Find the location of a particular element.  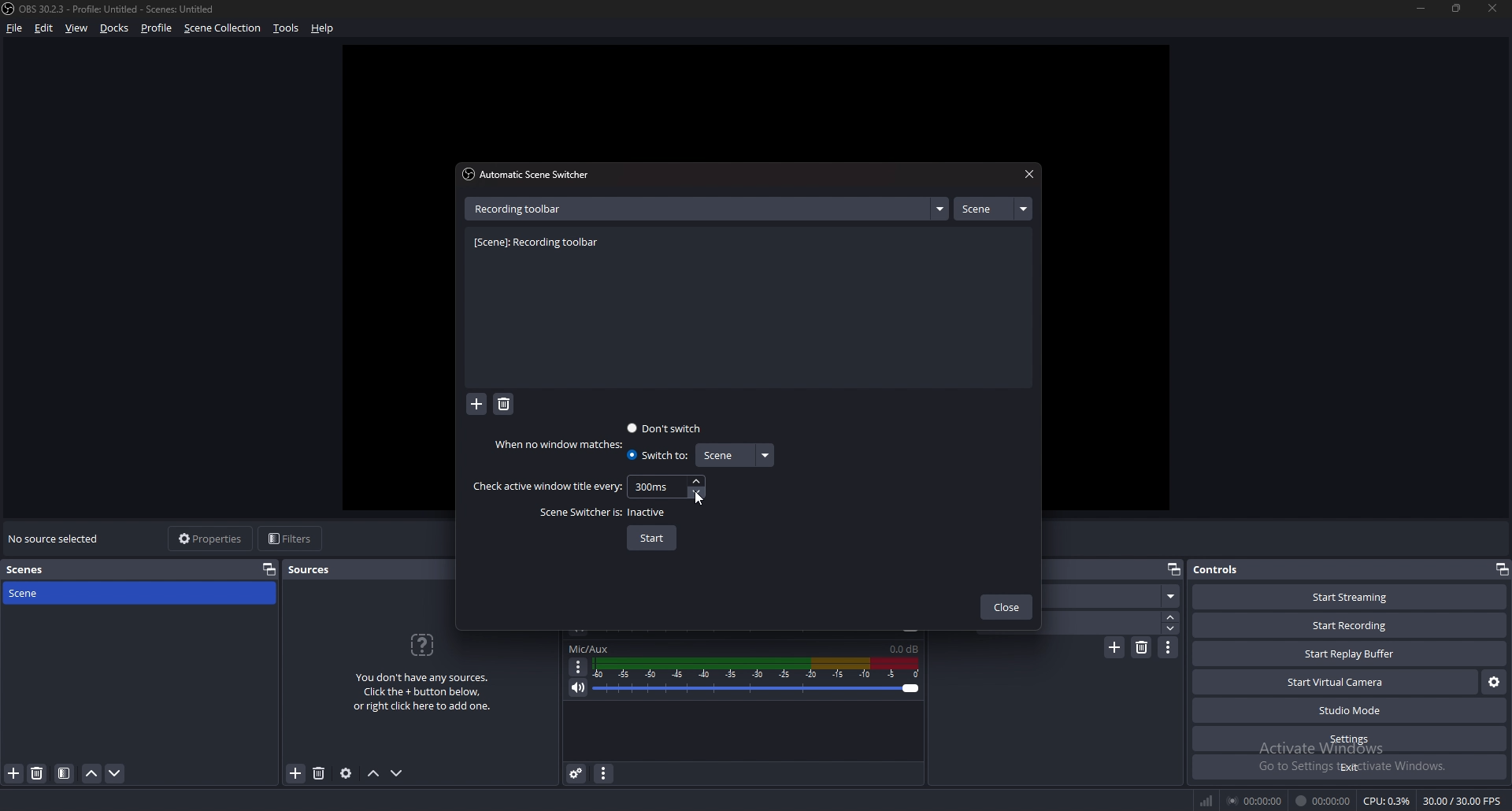

start is located at coordinates (652, 539).